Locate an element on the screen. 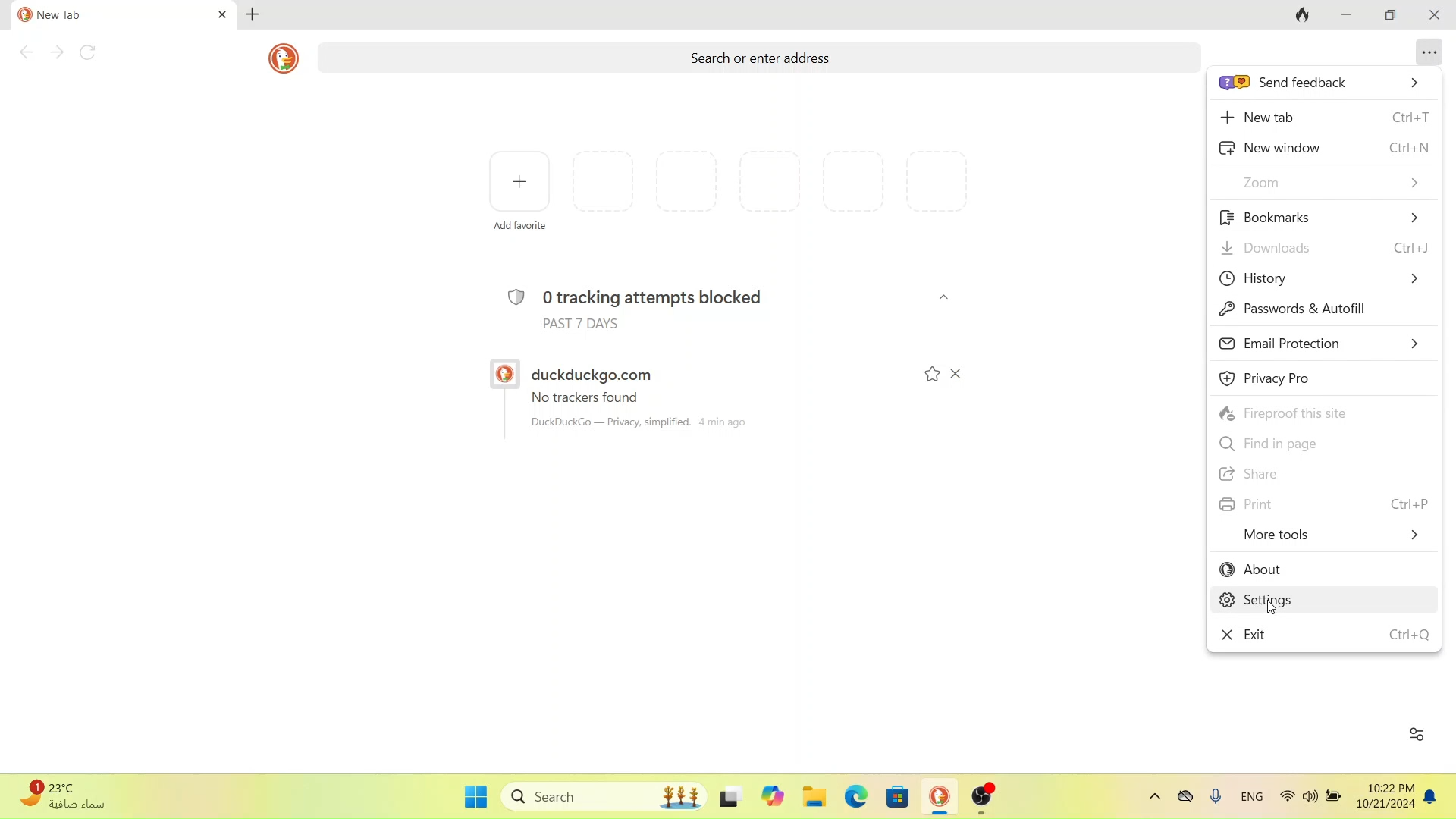 The height and width of the screenshot is (819, 1456). start is located at coordinates (477, 797).